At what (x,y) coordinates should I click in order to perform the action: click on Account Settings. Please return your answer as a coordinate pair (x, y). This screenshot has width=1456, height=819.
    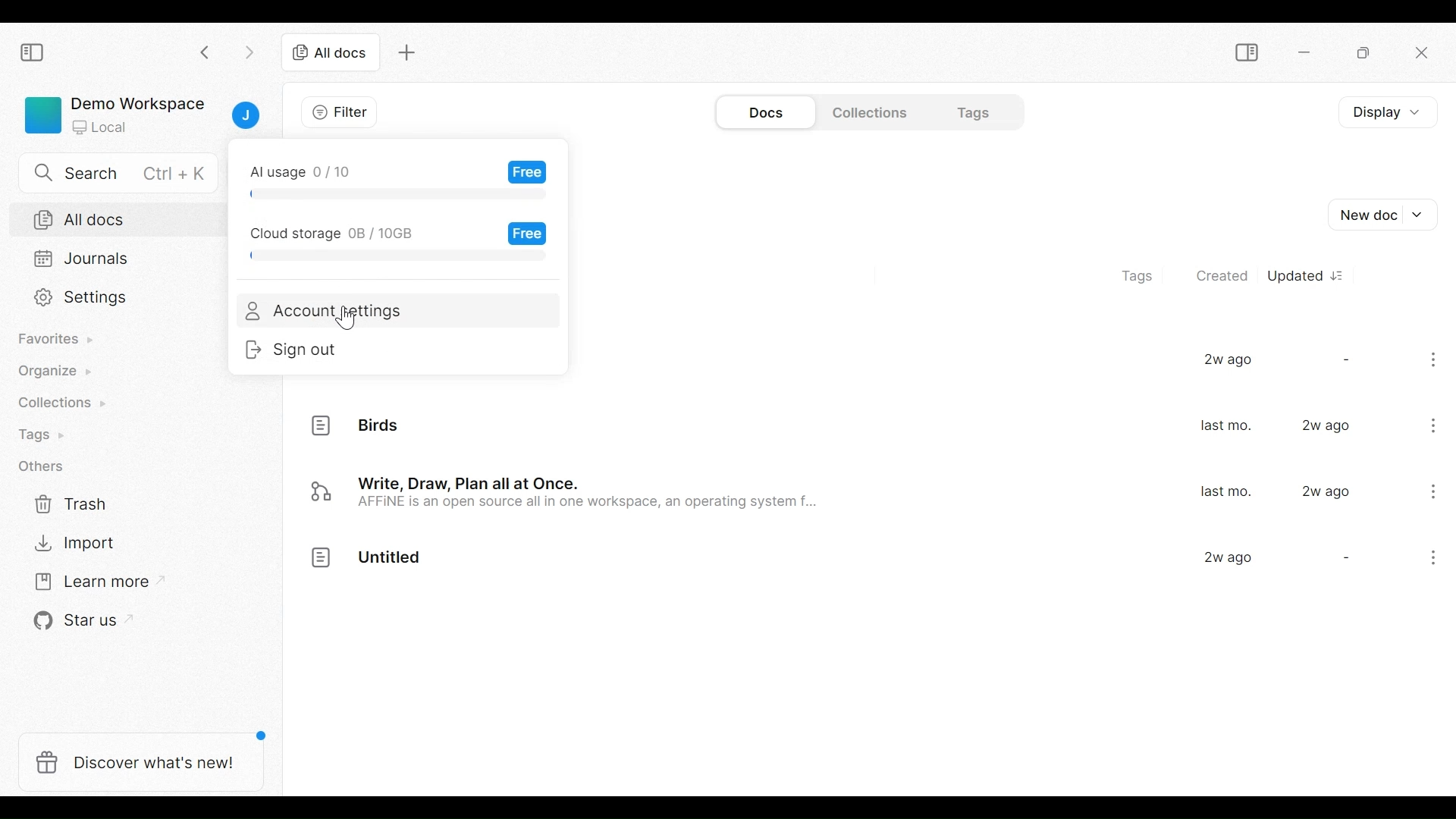
    Looking at the image, I should click on (329, 312).